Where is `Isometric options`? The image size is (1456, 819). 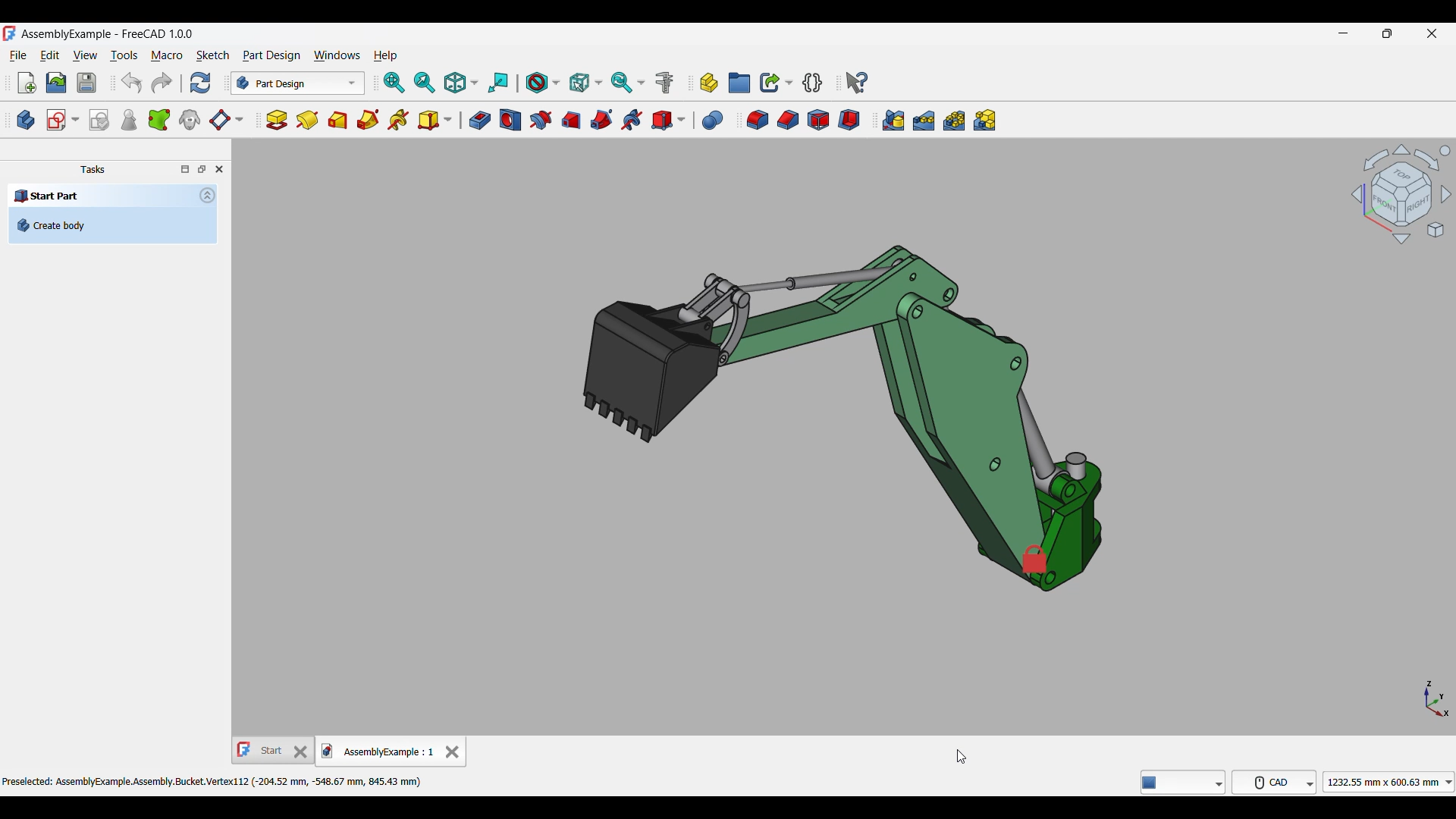 Isometric options is located at coordinates (461, 83).